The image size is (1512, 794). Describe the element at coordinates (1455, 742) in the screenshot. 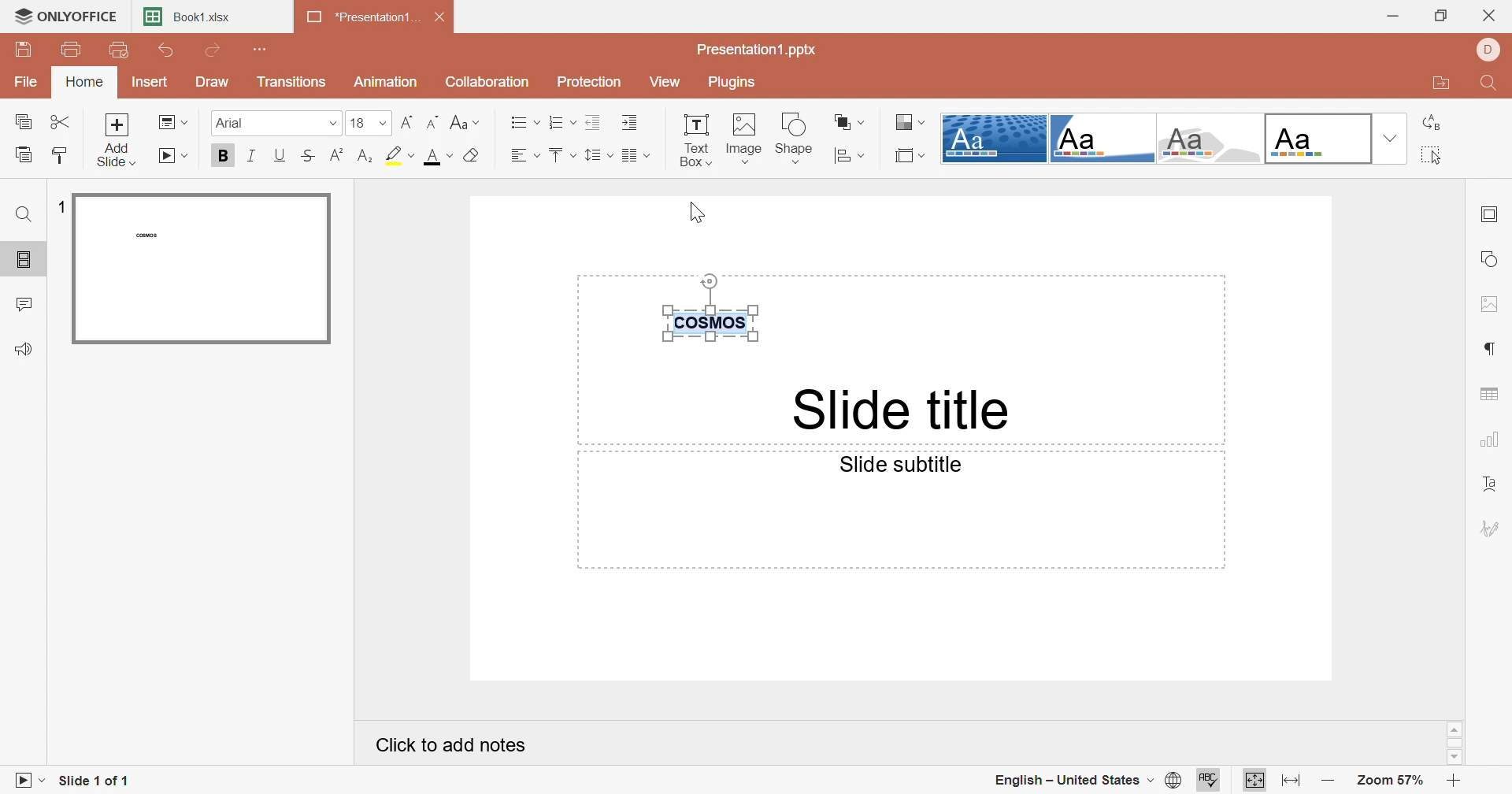

I see `Scroll Bar` at that location.